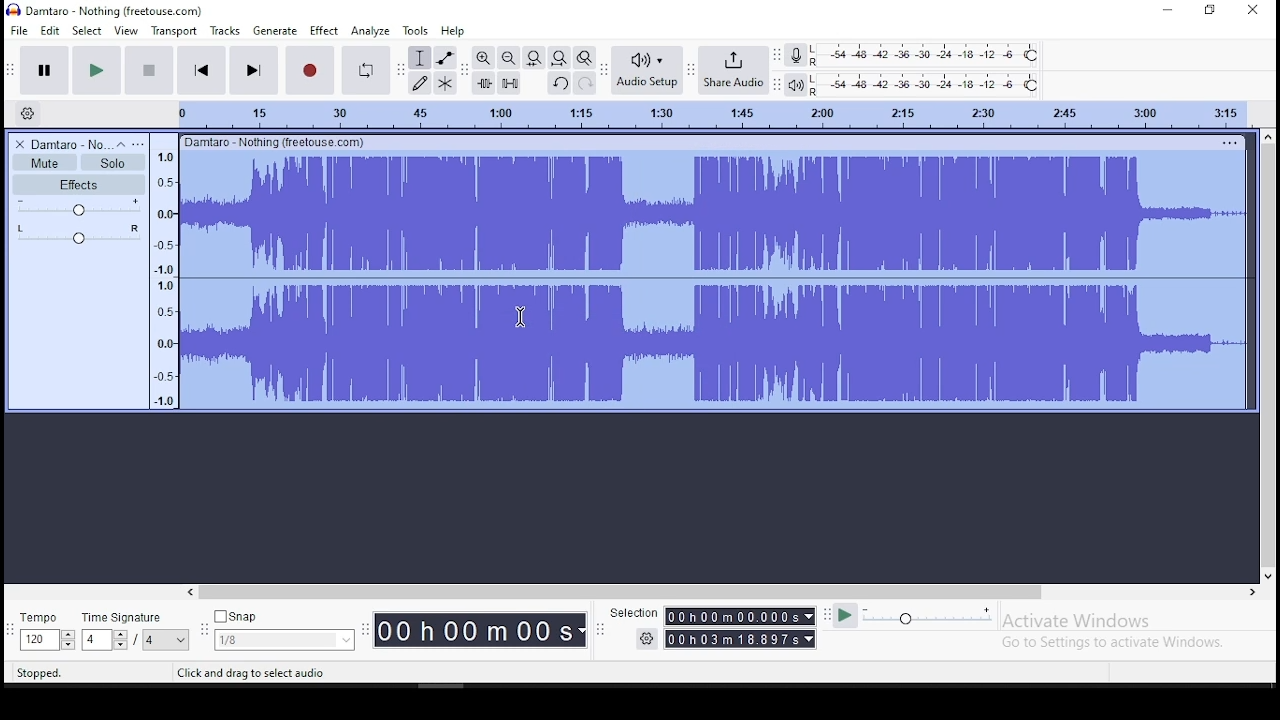 Image resolution: width=1280 pixels, height=720 pixels. I want to click on effects, so click(78, 185).